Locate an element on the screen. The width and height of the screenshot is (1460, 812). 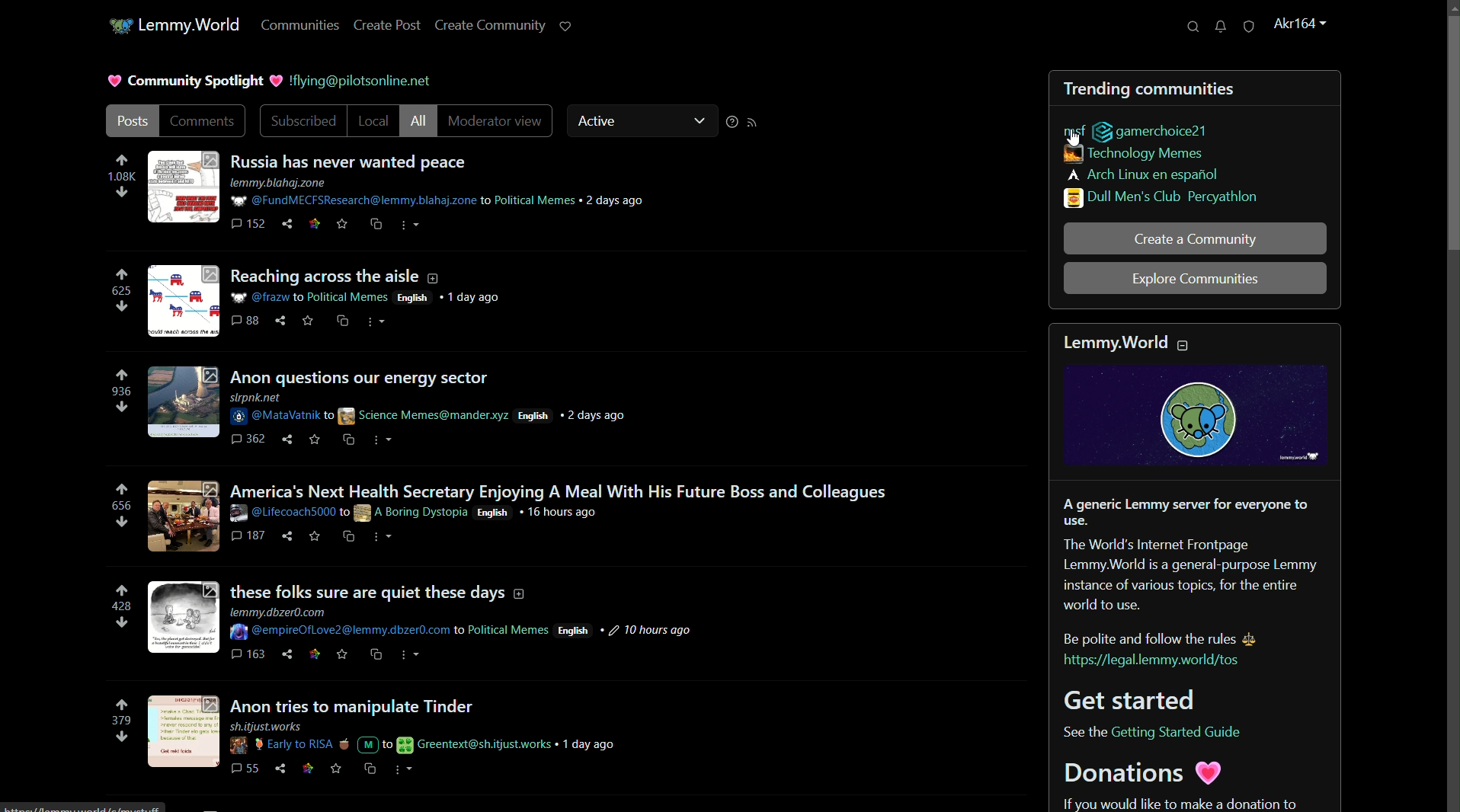
more is located at coordinates (378, 320).